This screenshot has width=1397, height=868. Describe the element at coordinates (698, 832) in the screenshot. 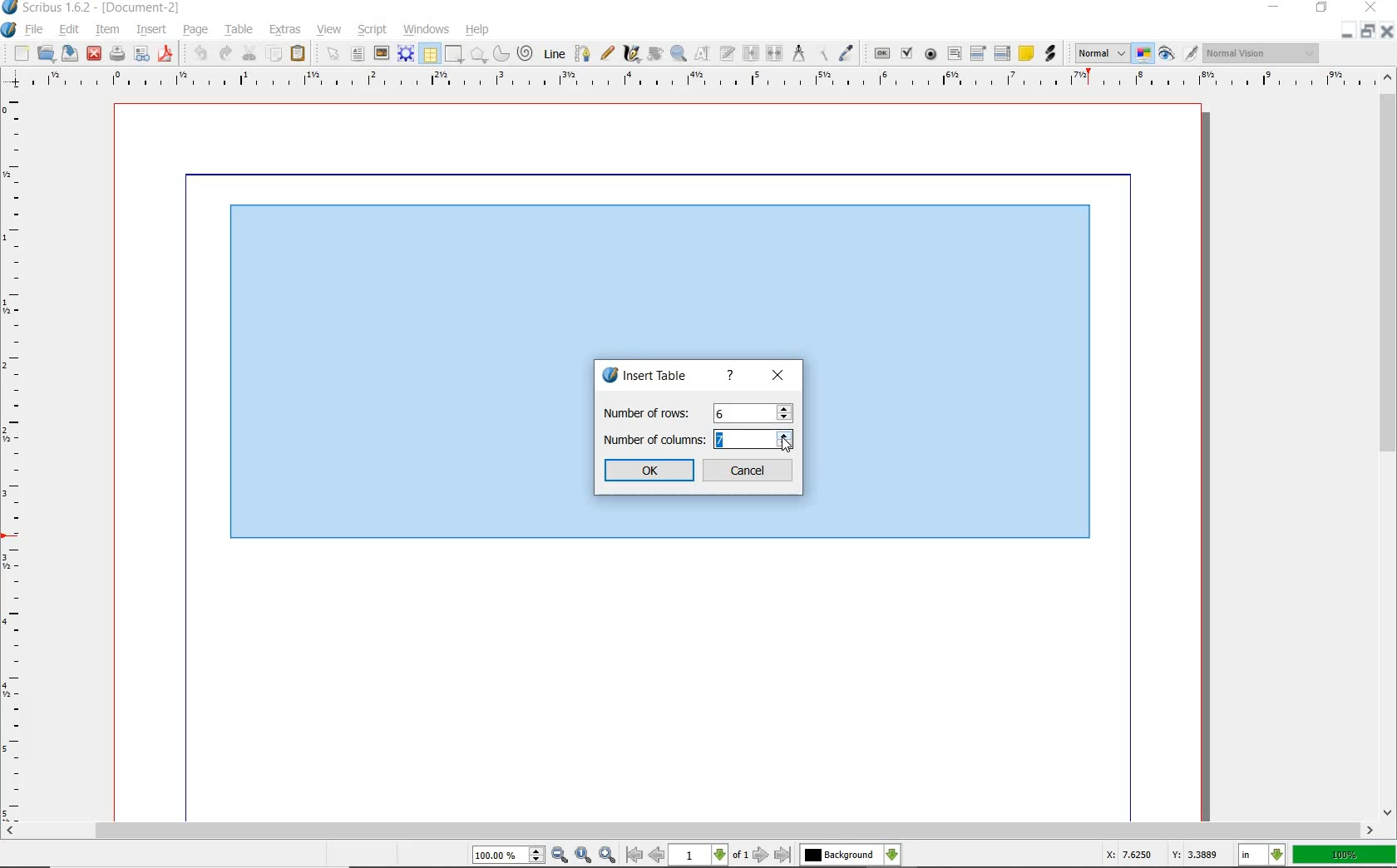

I see `scrollbar` at that location.